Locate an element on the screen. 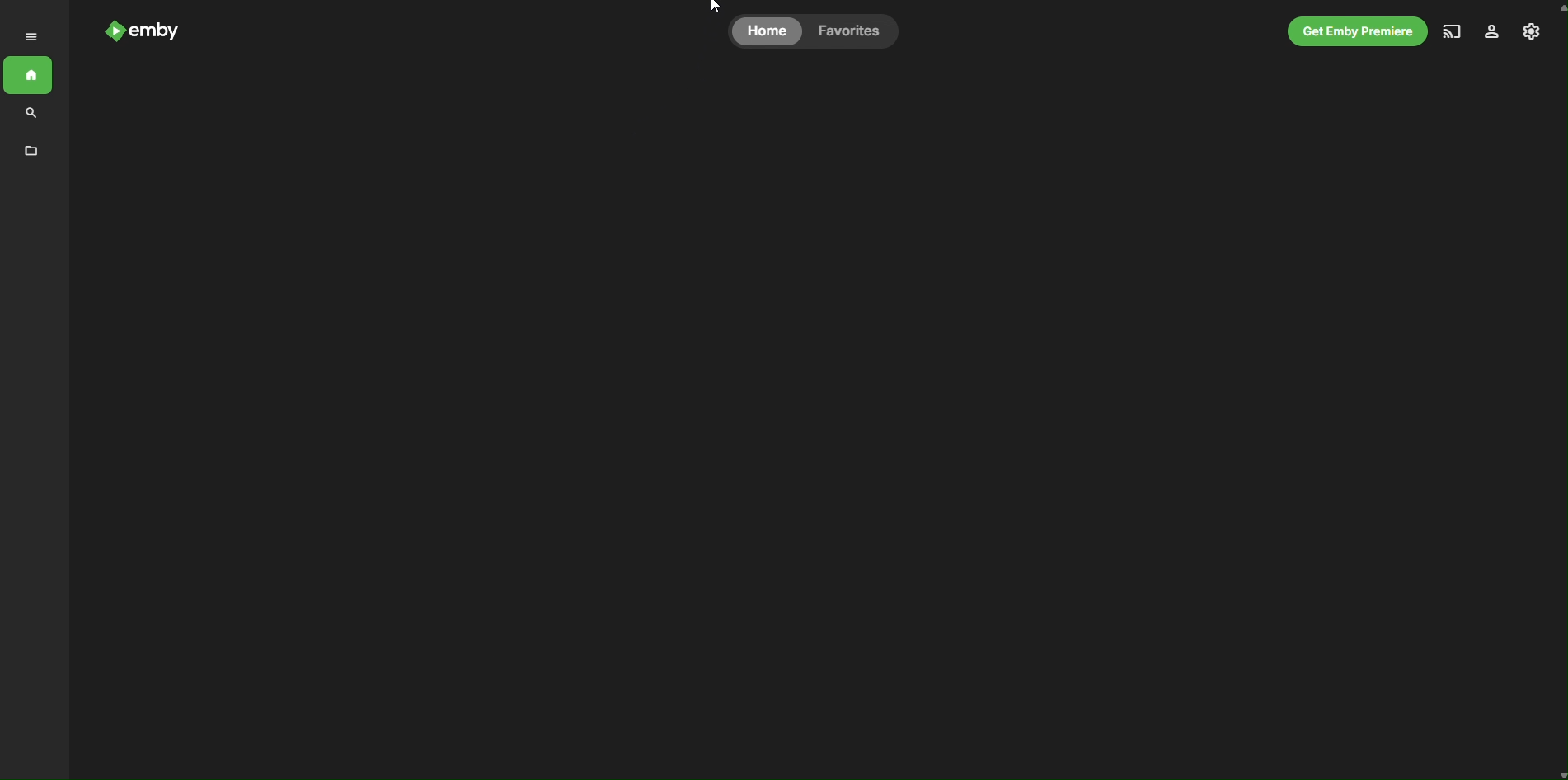 The image size is (1568, 780). Settings is located at coordinates (1534, 32).